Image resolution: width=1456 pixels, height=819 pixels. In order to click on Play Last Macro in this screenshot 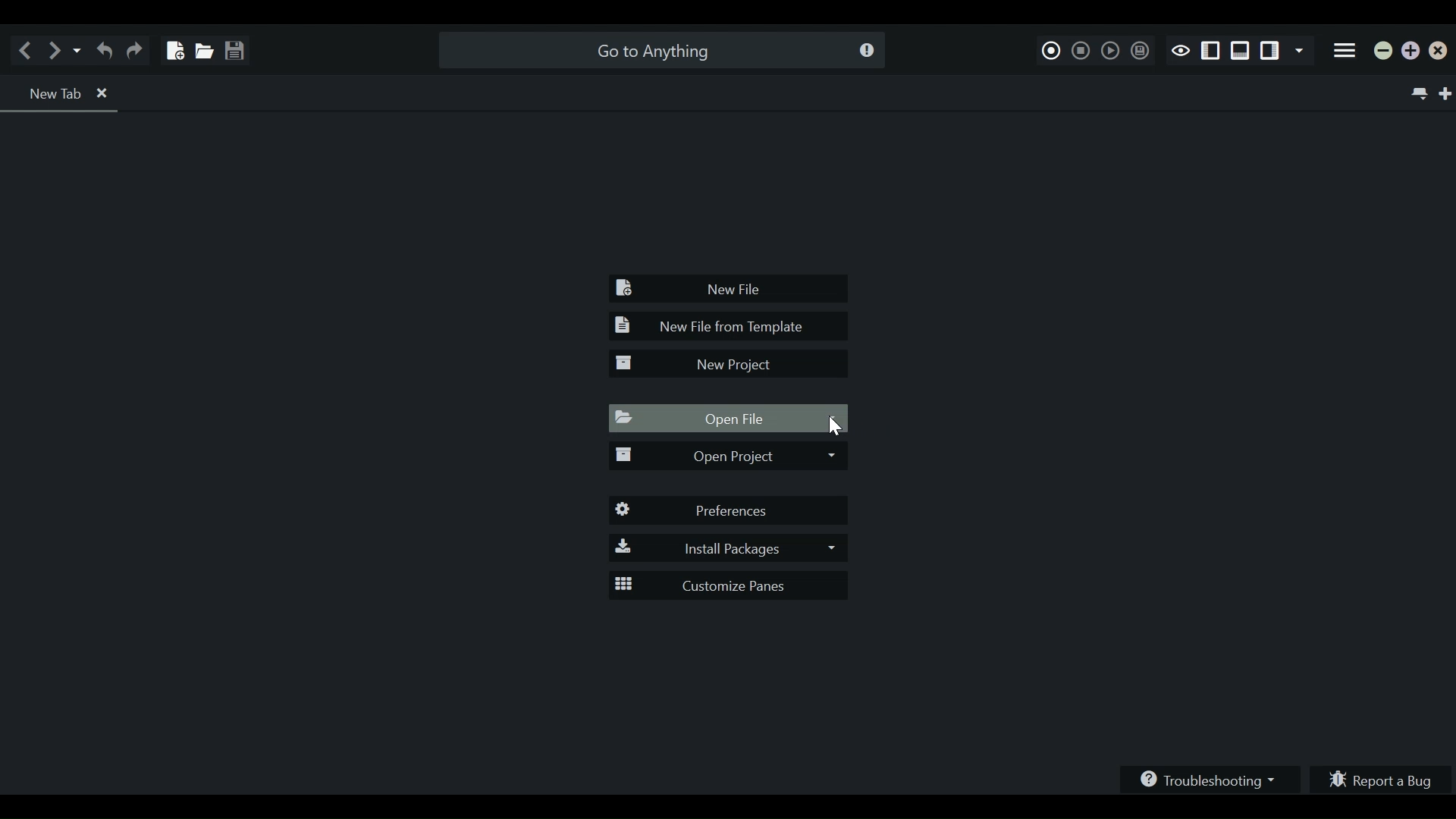, I will do `click(1109, 50)`.